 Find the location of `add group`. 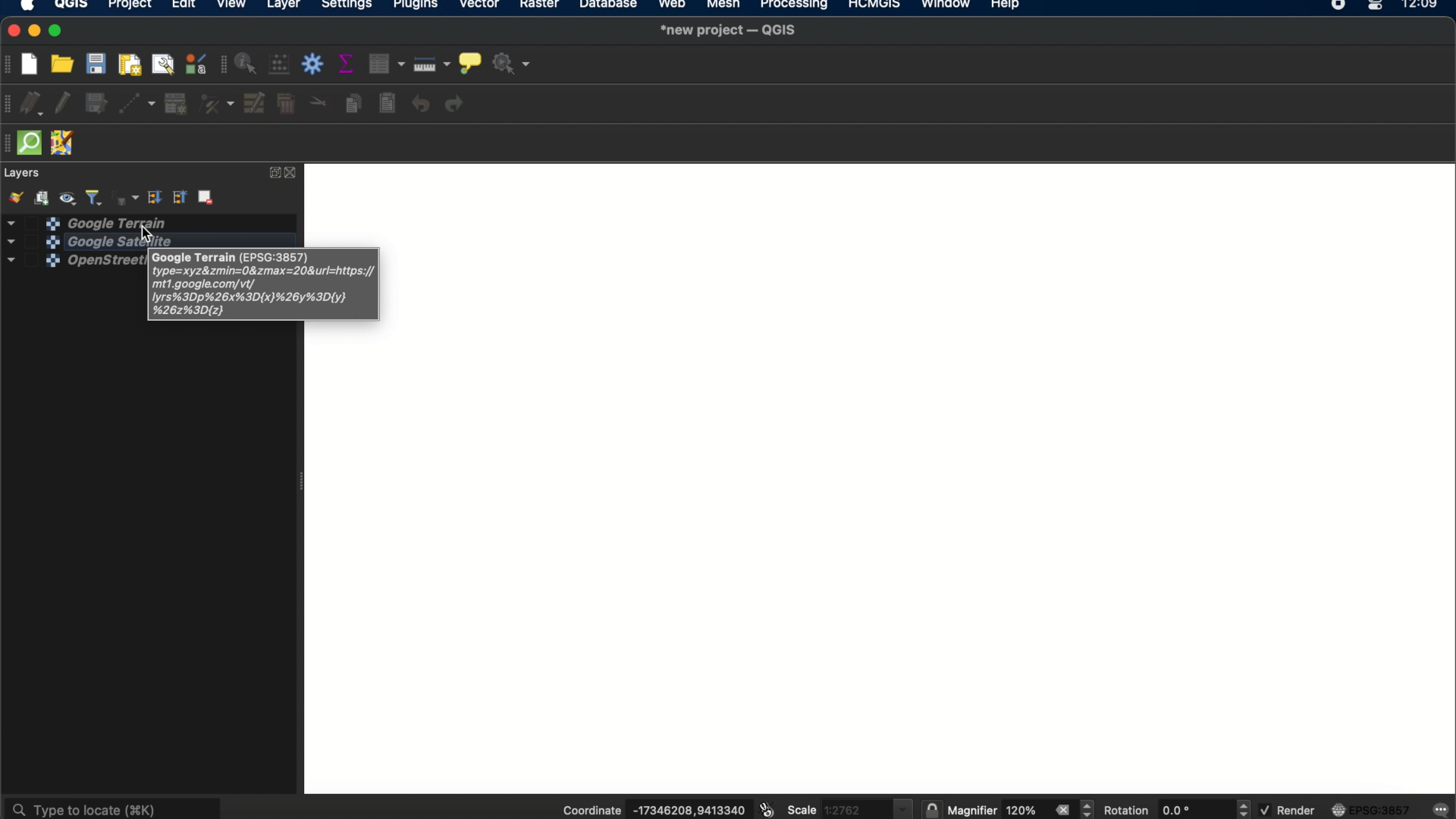

add group is located at coordinates (44, 197).